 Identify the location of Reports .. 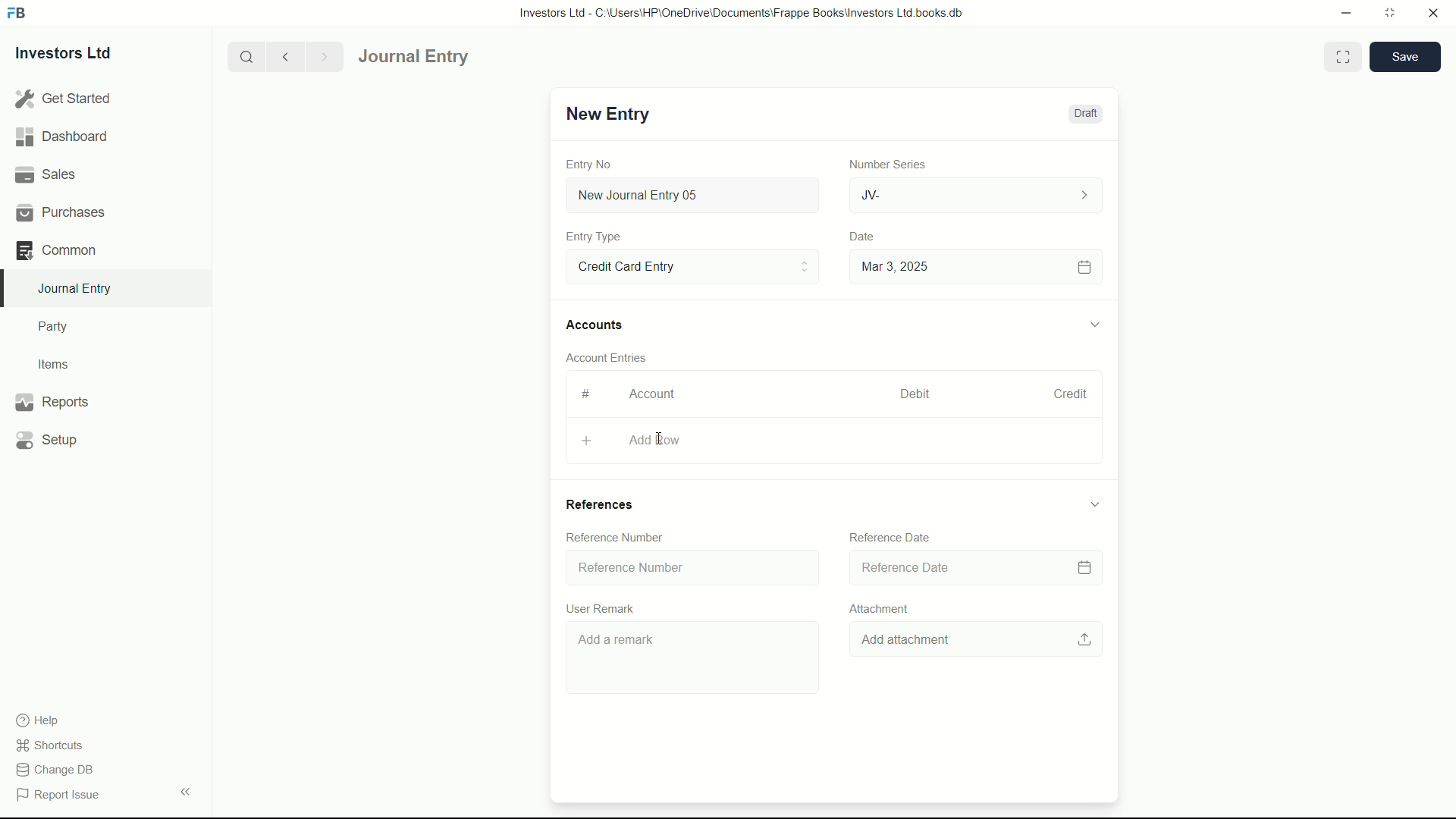
(52, 400).